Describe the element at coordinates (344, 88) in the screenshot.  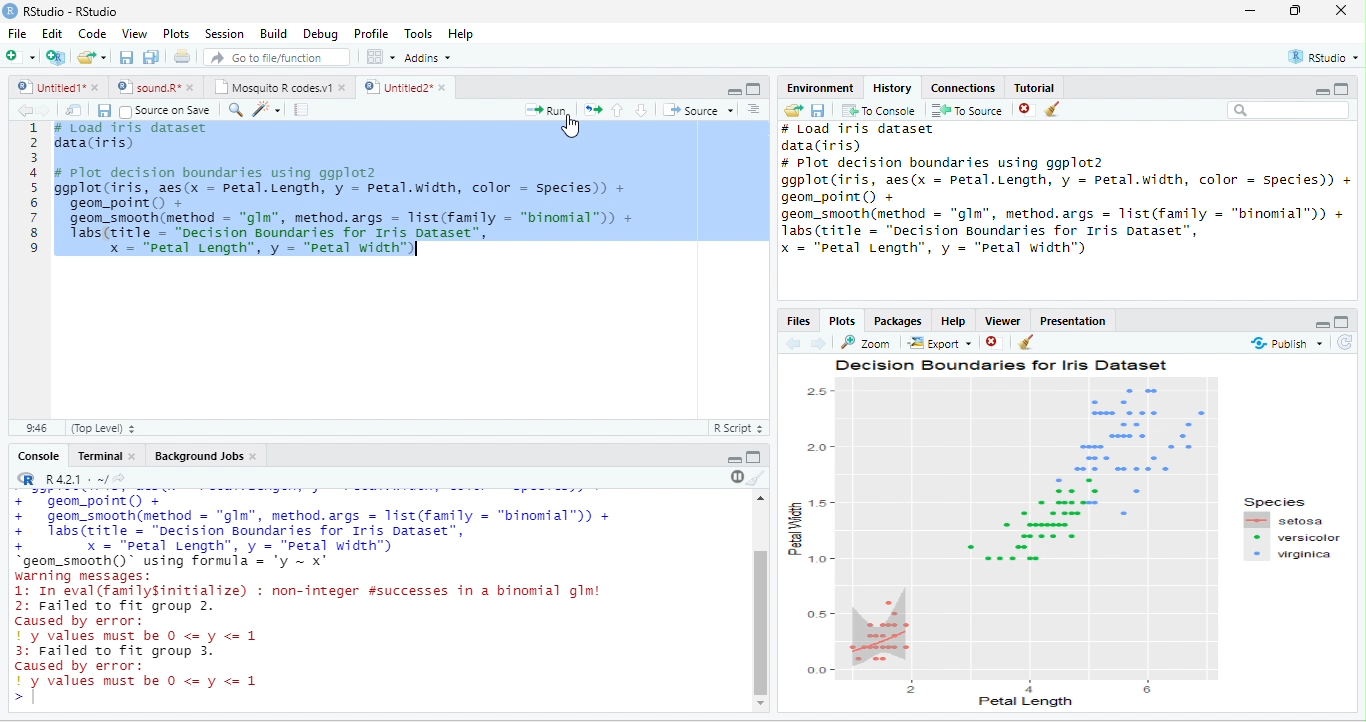
I see `close` at that location.